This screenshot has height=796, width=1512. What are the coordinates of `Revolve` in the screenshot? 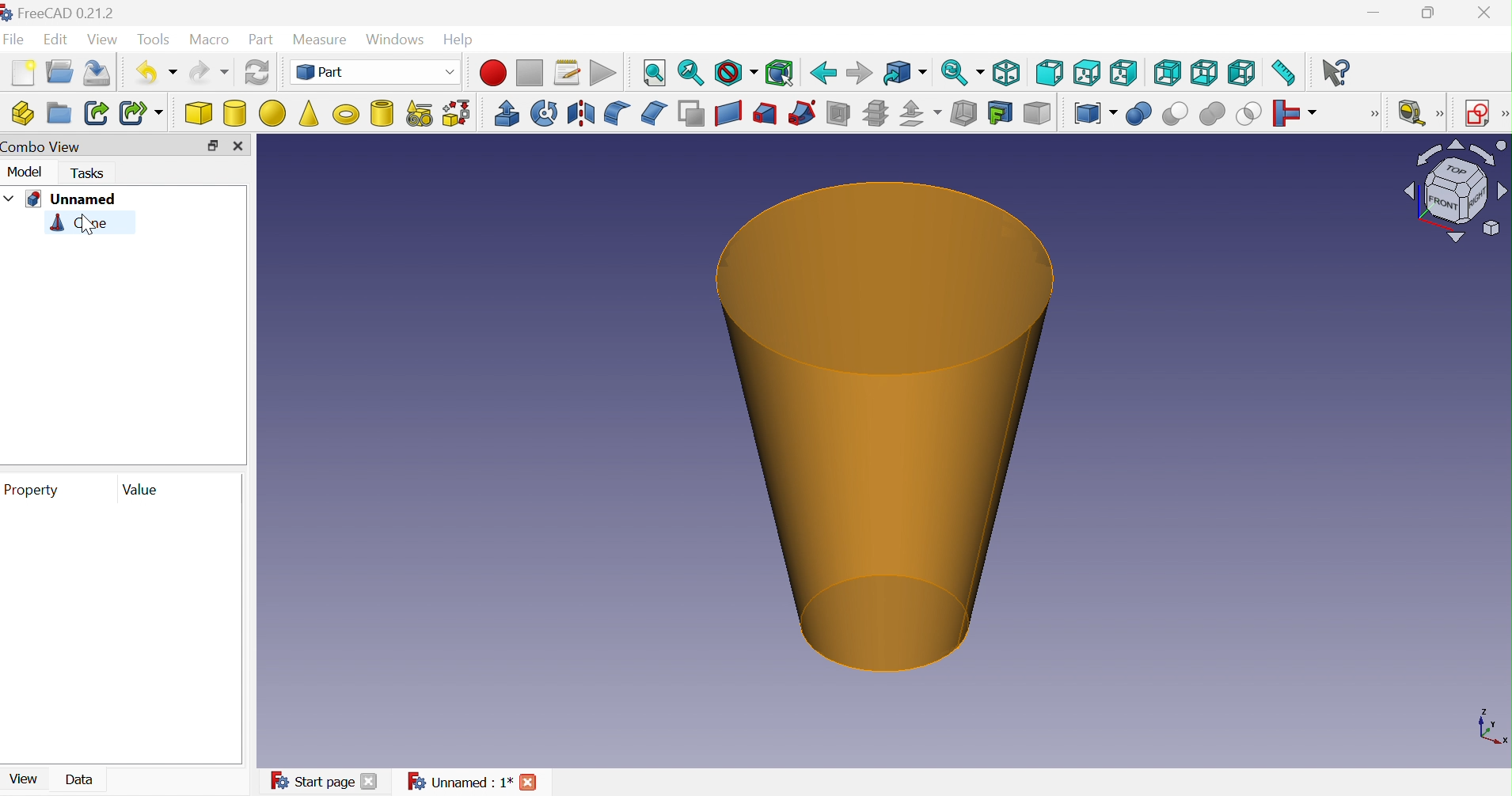 It's located at (543, 112).